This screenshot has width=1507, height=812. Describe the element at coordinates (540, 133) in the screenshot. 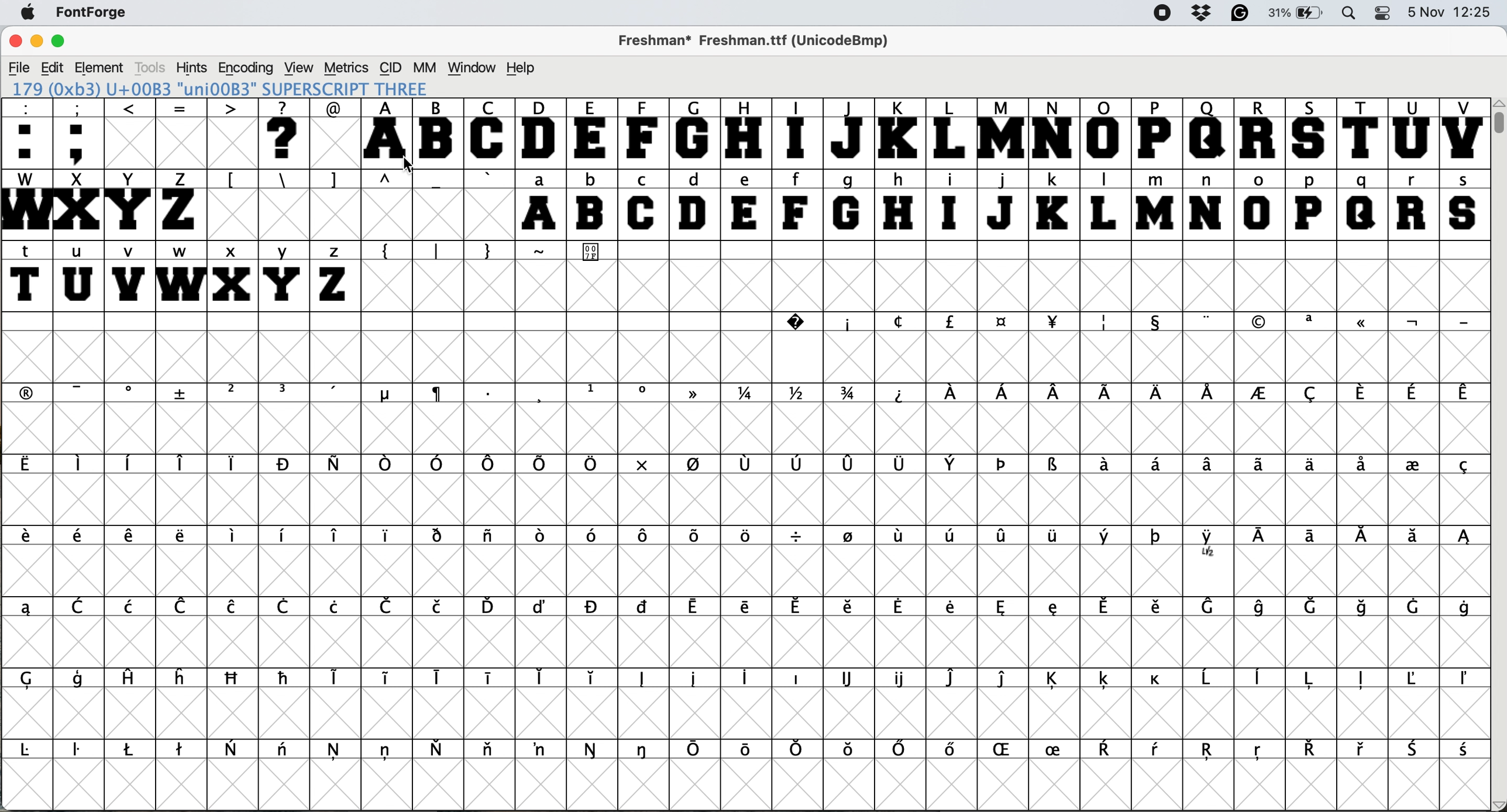

I see `D` at that location.